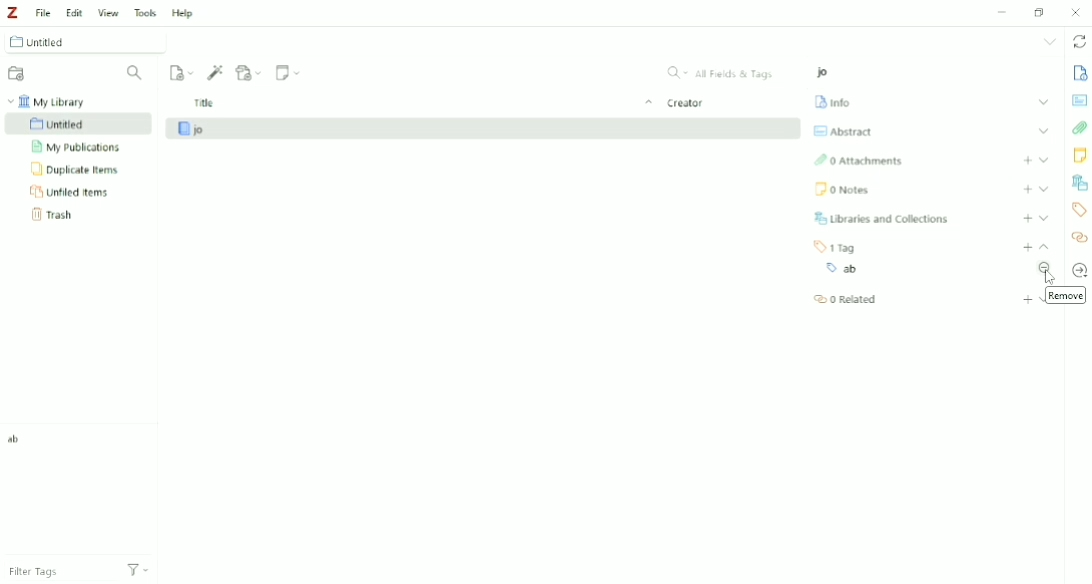 This screenshot has height=584, width=1092. I want to click on Tools, so click(146, 11).